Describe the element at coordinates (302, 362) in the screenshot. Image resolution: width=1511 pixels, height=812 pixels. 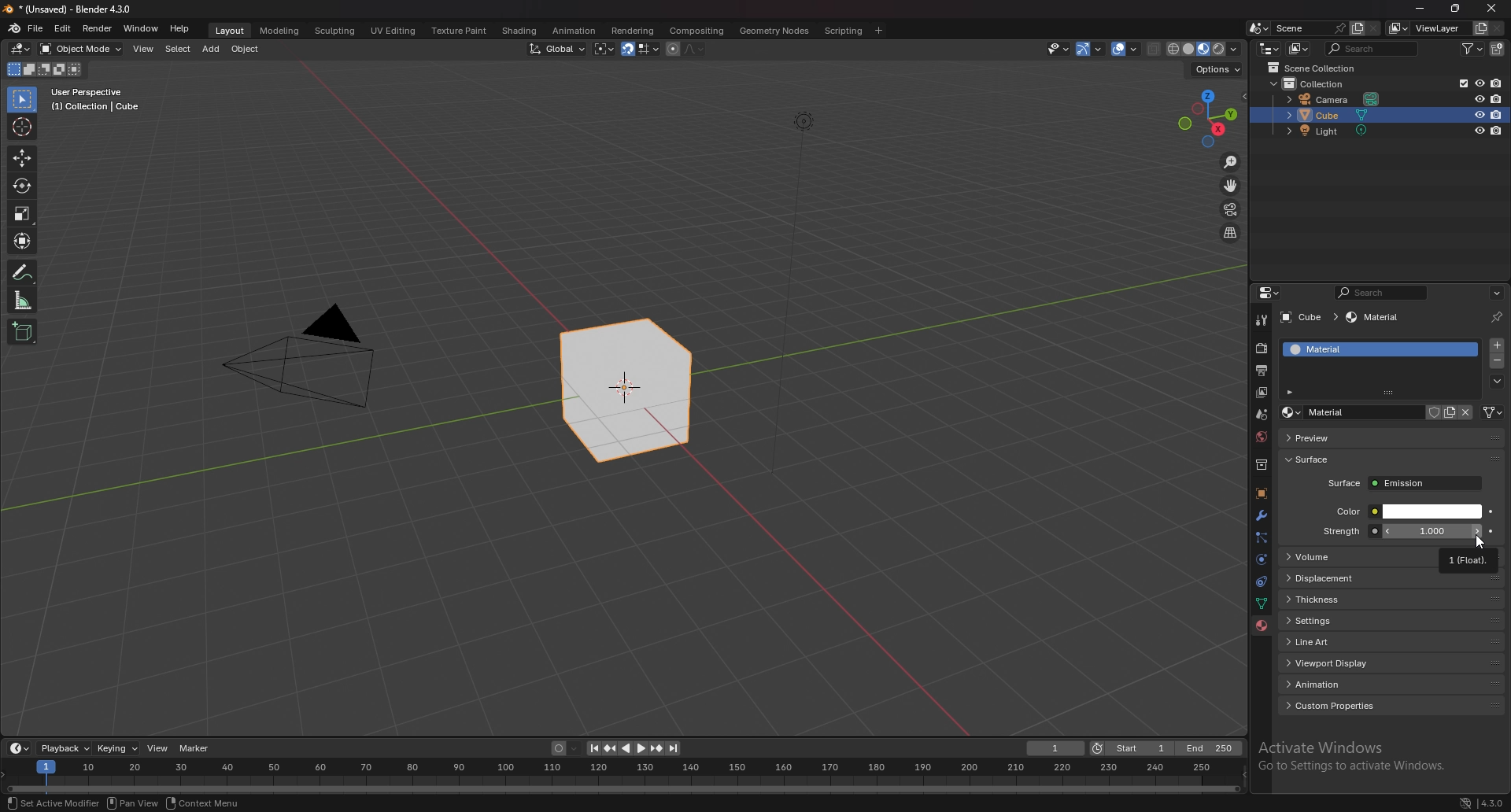
I see `` at that location.